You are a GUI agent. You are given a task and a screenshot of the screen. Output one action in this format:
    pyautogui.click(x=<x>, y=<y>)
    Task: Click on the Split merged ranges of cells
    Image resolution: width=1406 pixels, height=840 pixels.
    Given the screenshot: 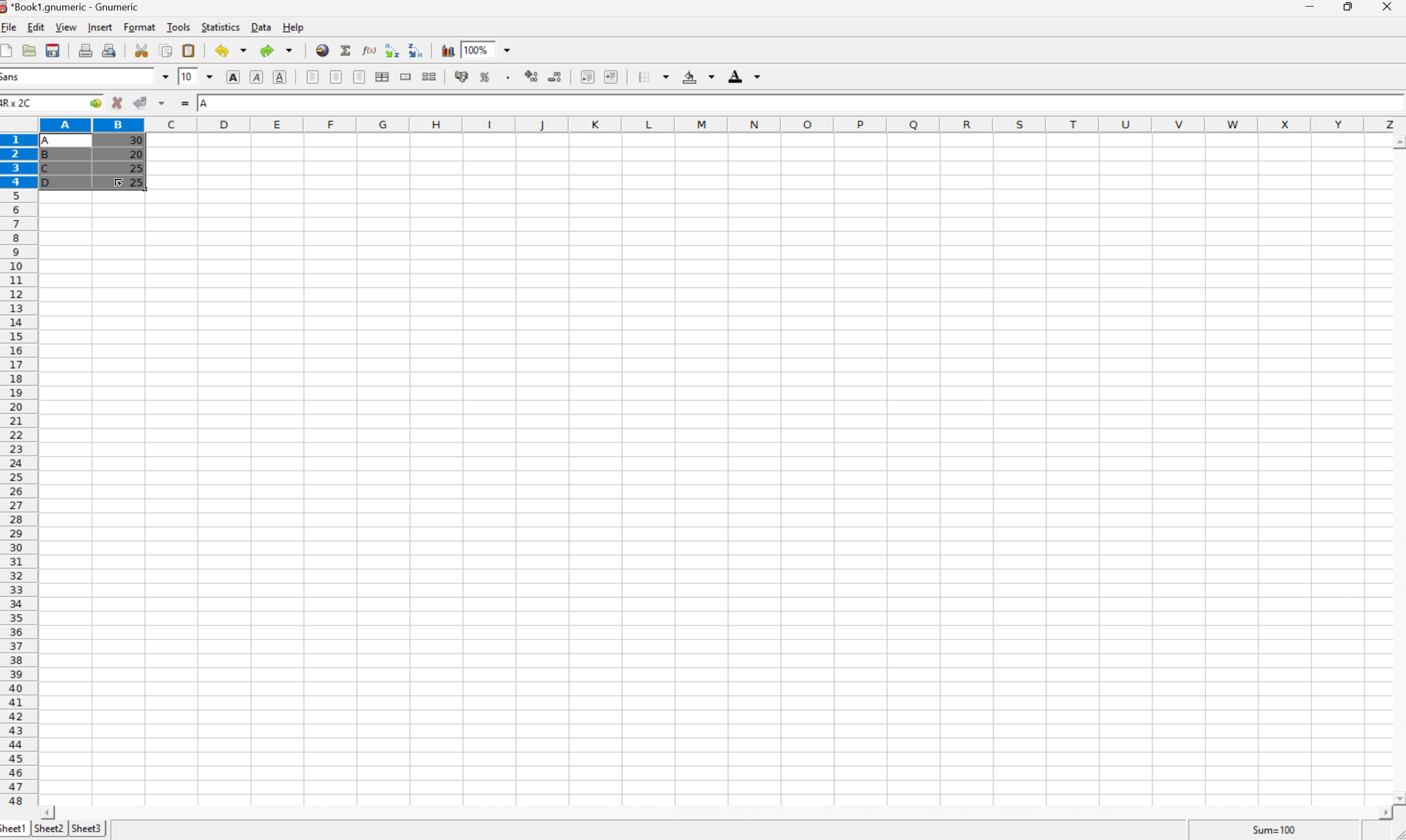 What is the action you would take?
    pyautogui.click(x=428, y=77)
    